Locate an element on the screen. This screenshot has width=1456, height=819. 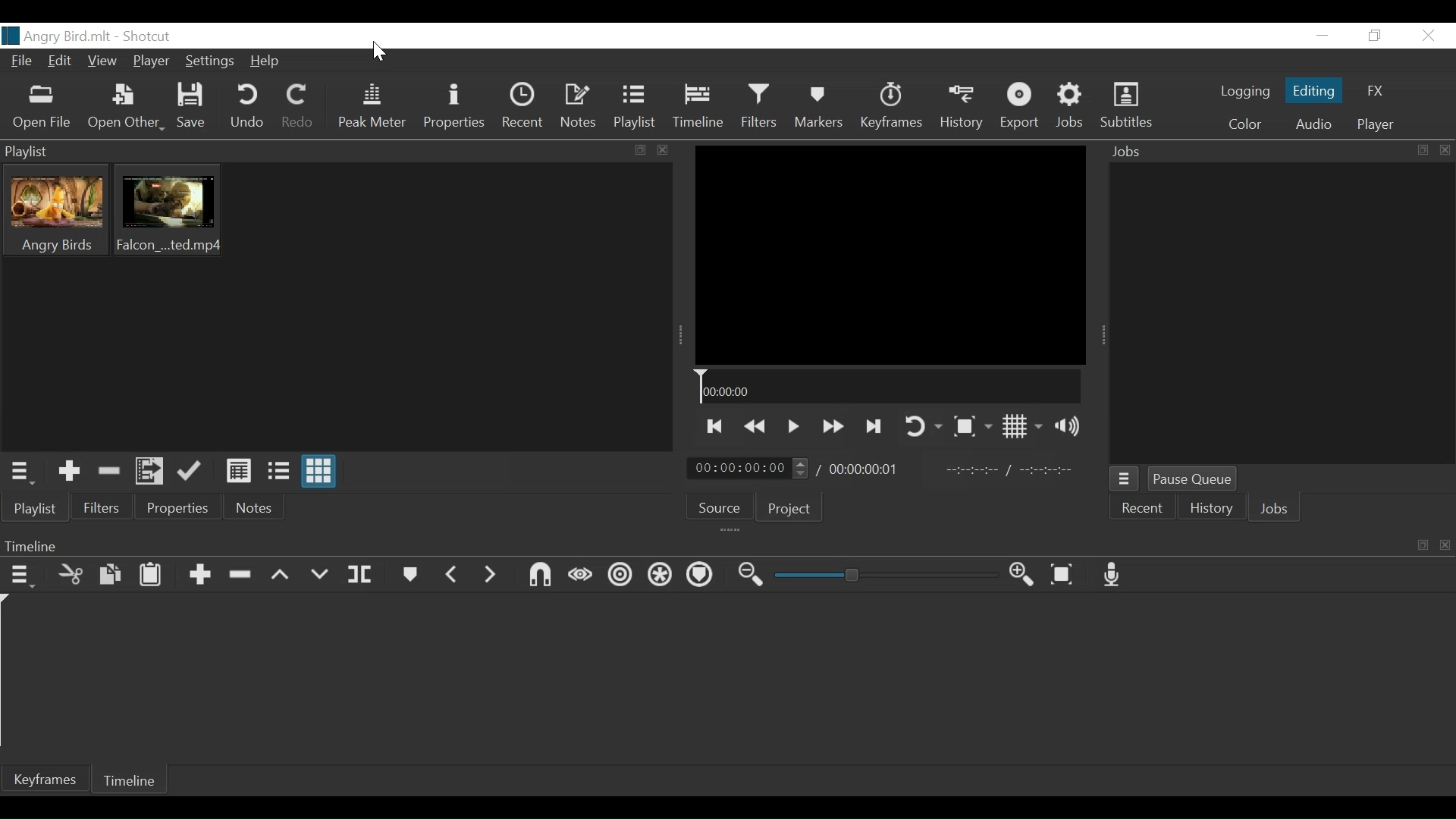
Settings is located at coordinates (212, 60).